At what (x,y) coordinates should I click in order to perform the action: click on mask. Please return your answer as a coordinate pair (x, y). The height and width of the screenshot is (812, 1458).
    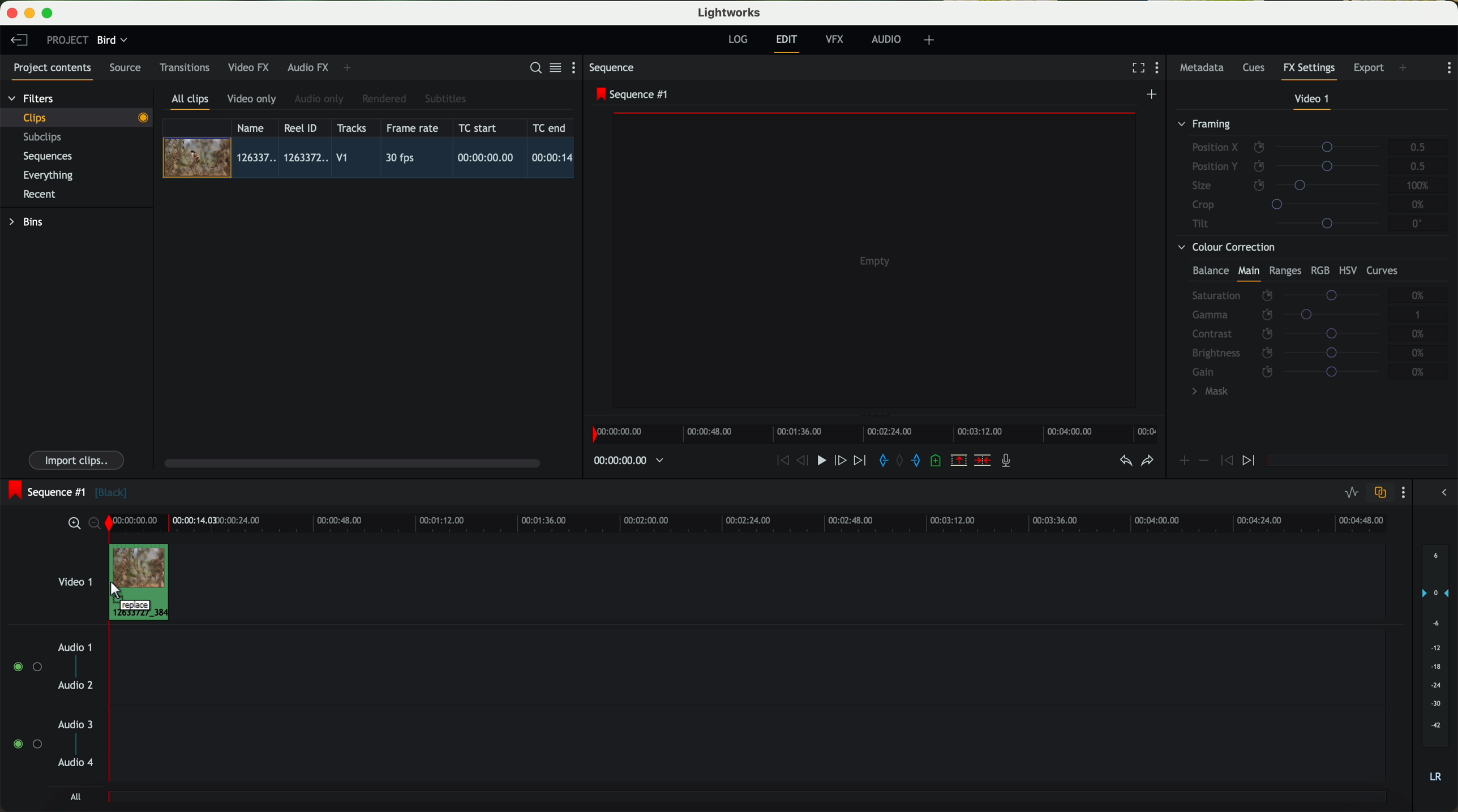
    Looking at the image, I should click on (1208, 393).